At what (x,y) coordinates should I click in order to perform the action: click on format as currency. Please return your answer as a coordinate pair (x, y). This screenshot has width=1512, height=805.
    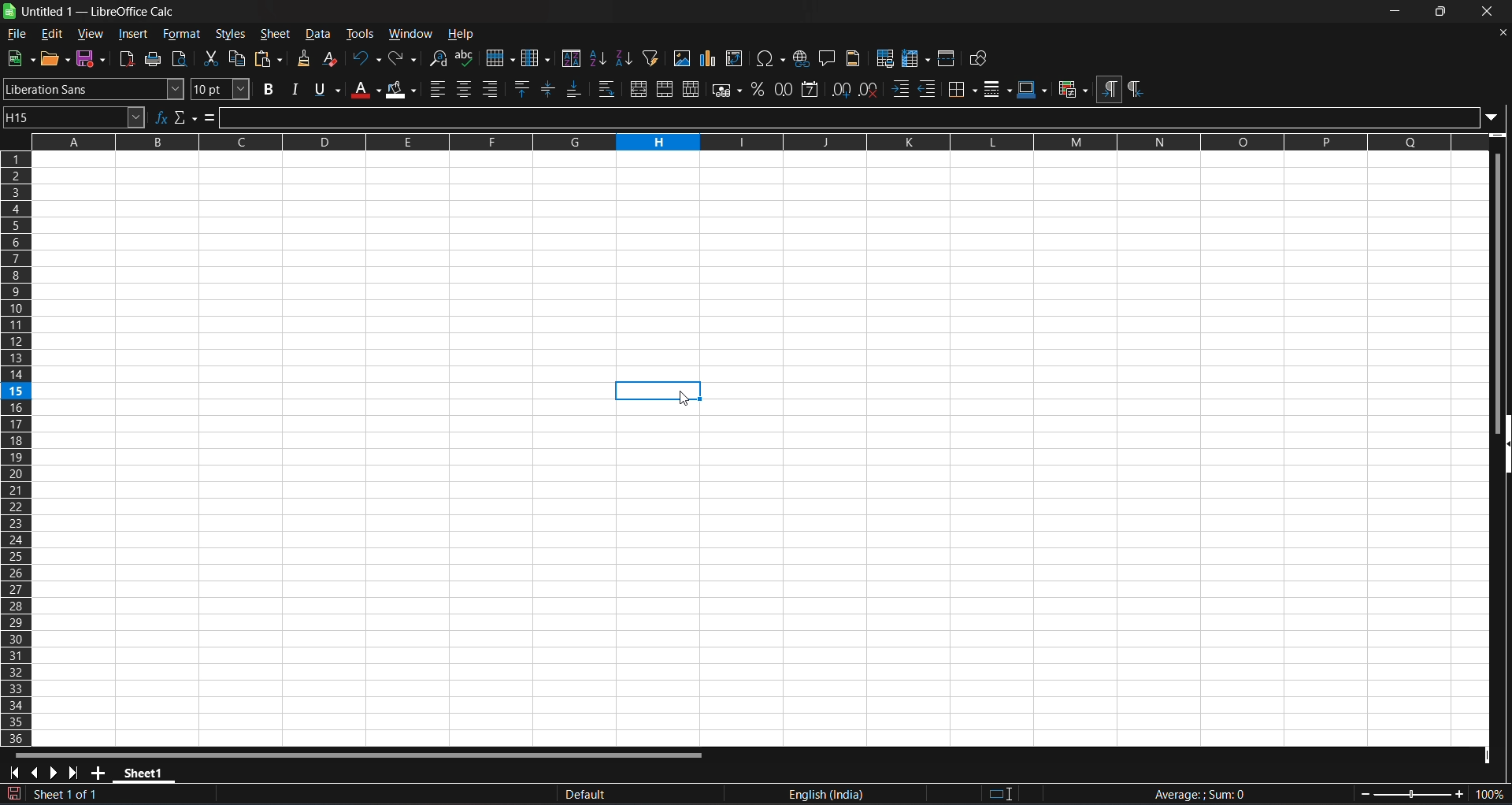
    Looking at the image, I should click on (726, 90).